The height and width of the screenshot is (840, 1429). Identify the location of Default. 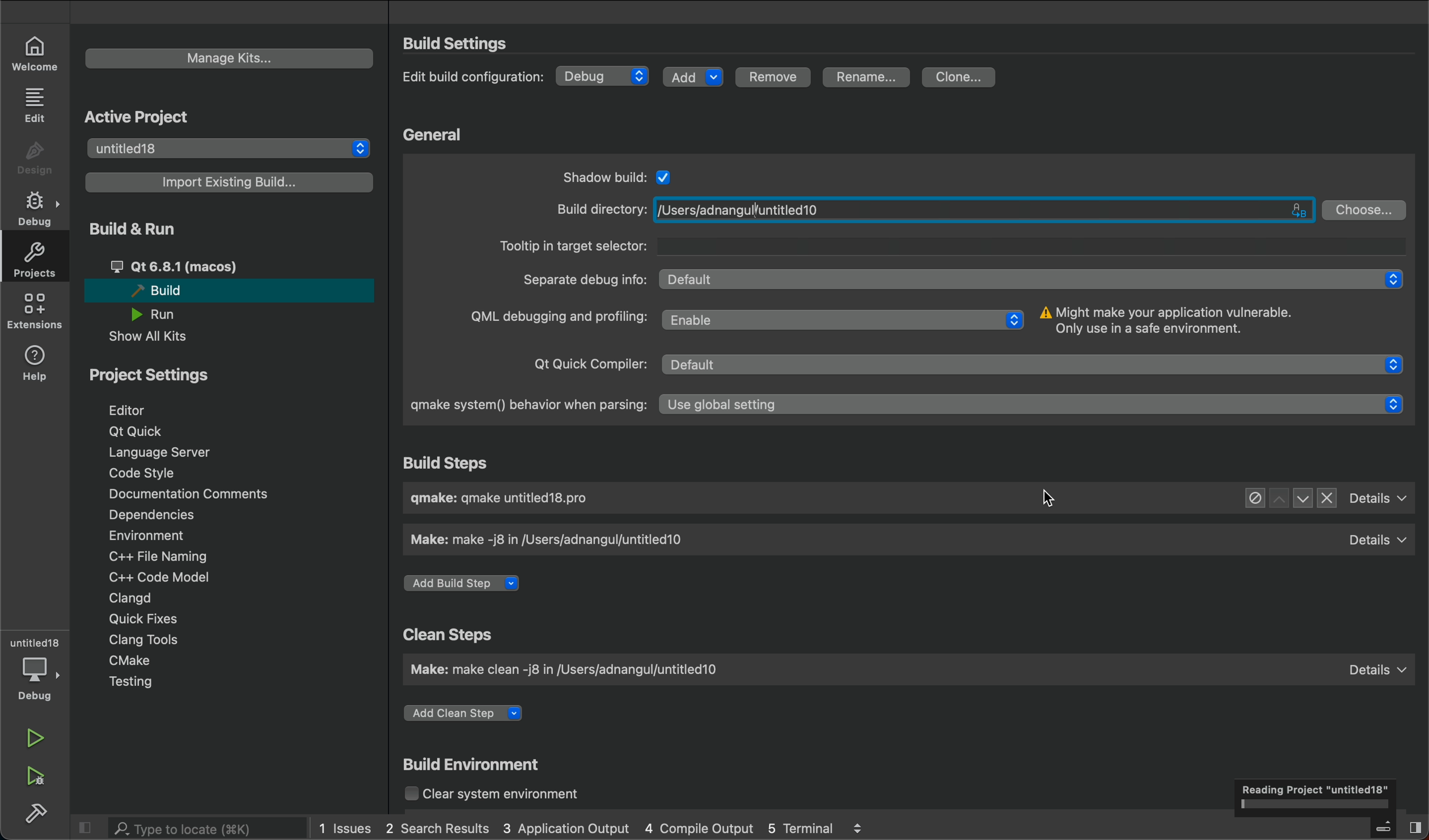
(1036, 279).